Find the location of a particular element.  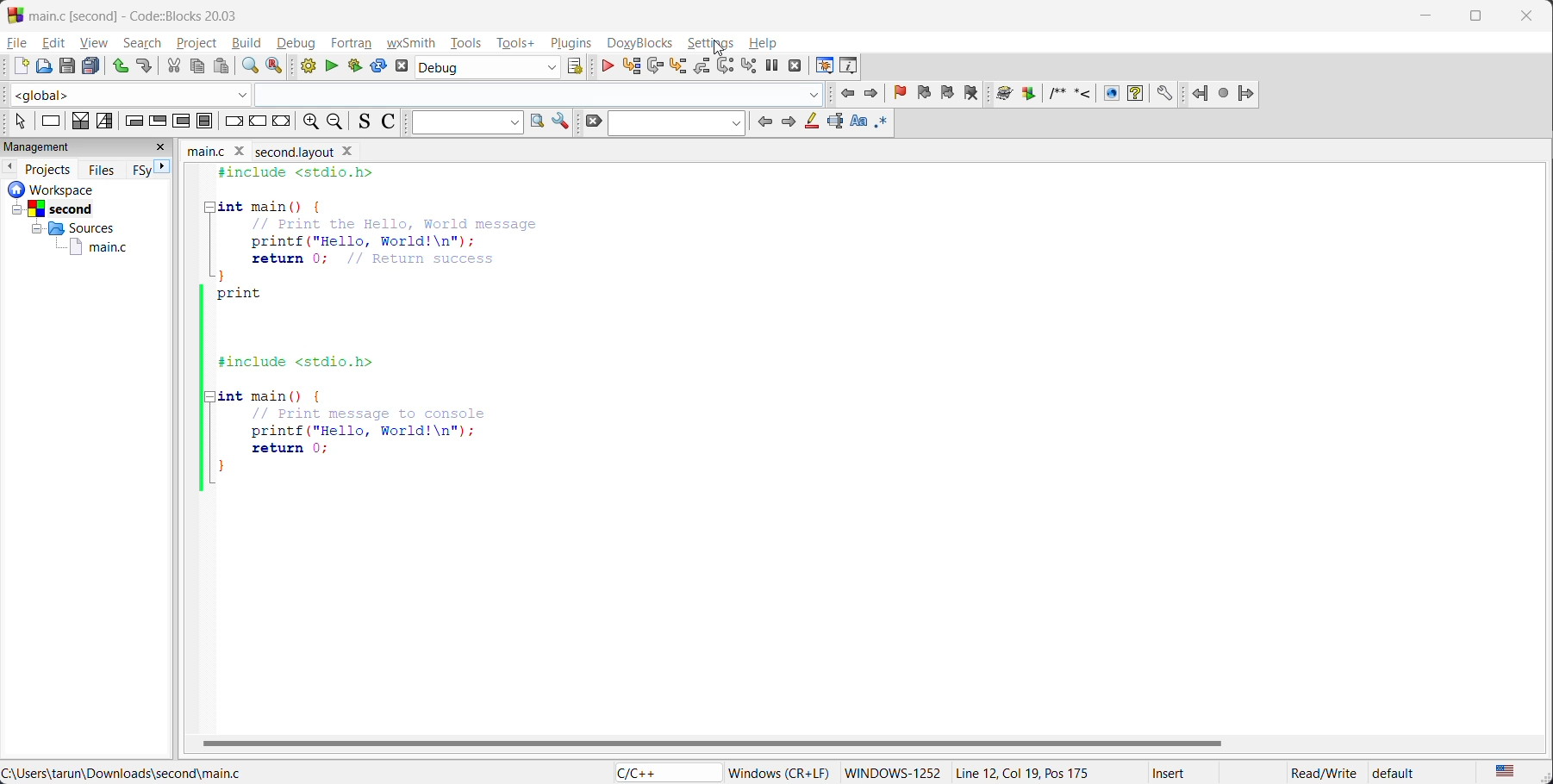

file location is located at coordinates (131, 772).